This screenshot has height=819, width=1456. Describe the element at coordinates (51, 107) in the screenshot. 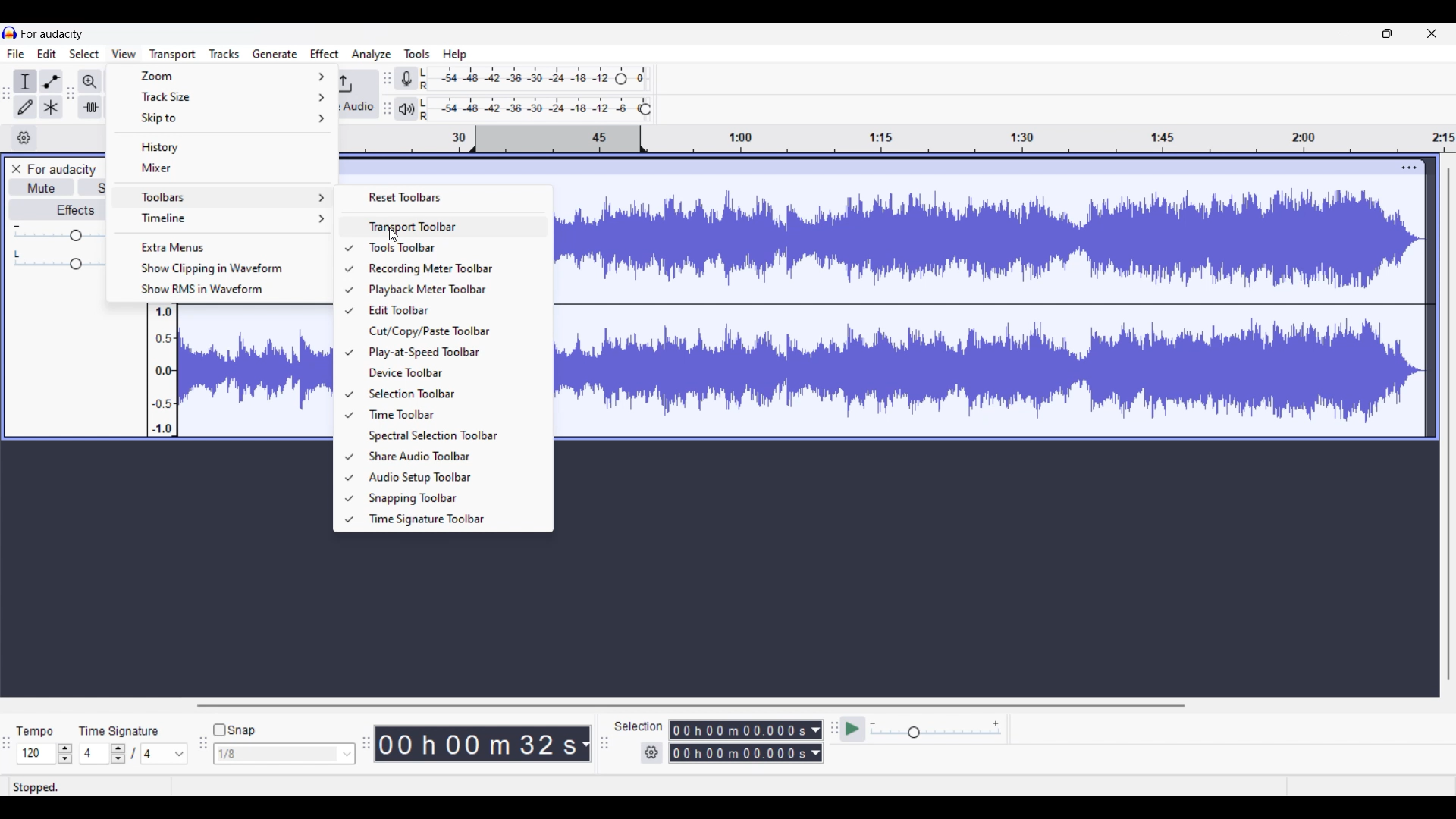

I see `Multi-tool` at that location.